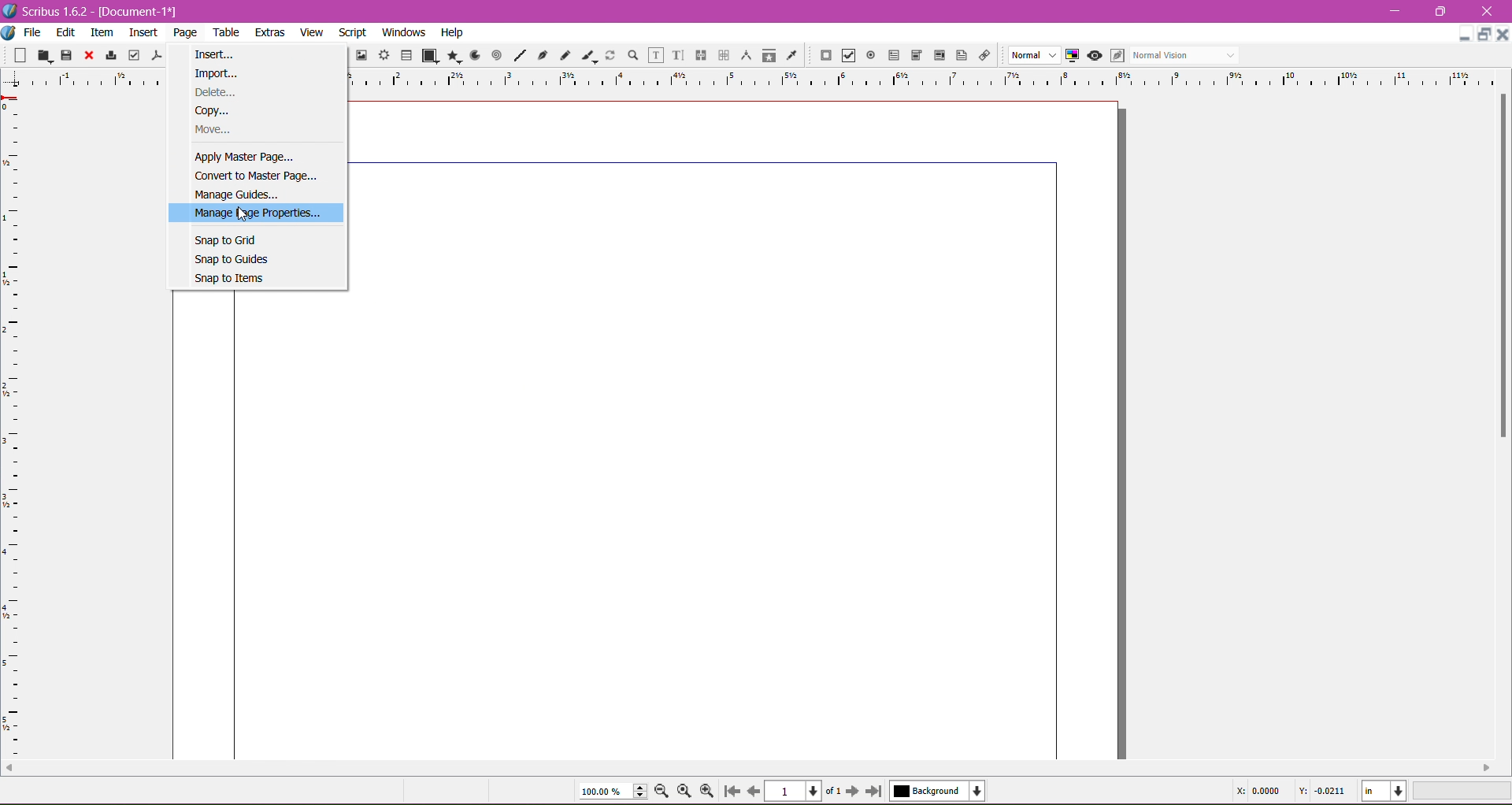  Describe the element at coordinates (110, 55) in the screenshot. I see `Print` at that location.